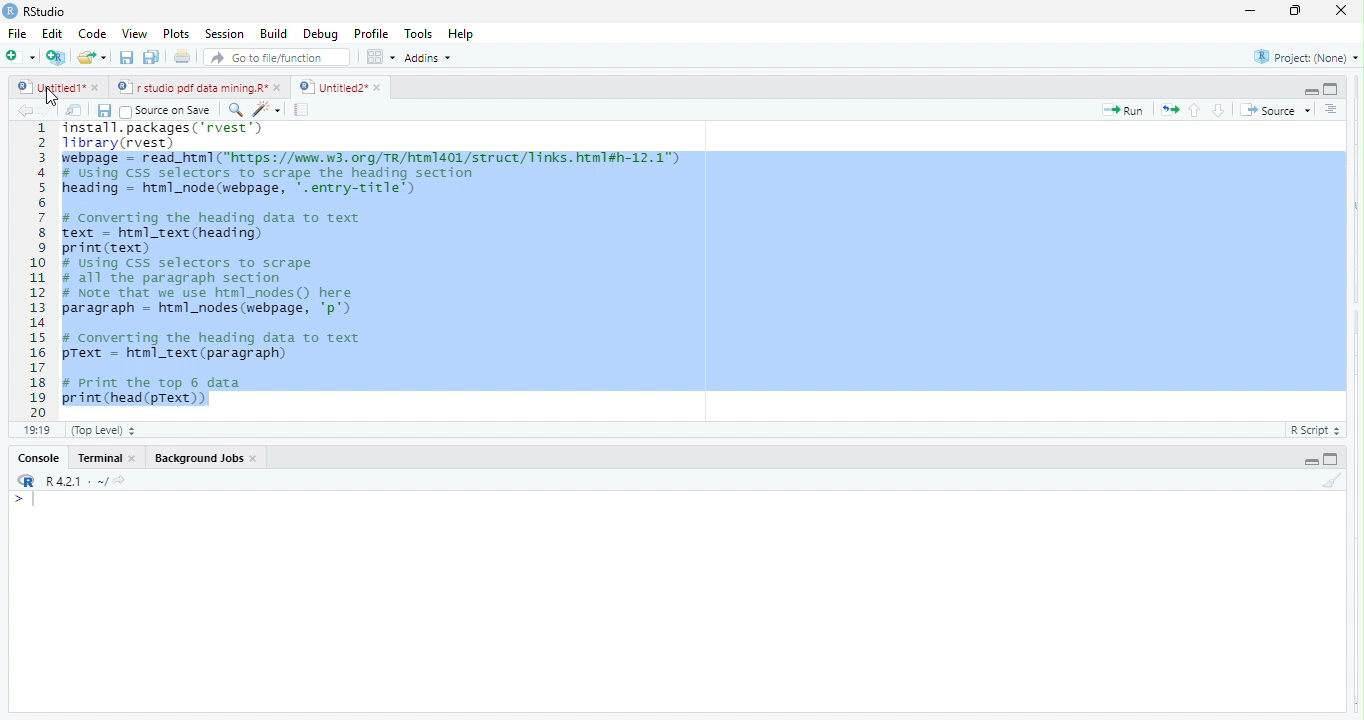 The height and width of the screenshot is (720, 1364). I want to click on Console, so click(38, 459).